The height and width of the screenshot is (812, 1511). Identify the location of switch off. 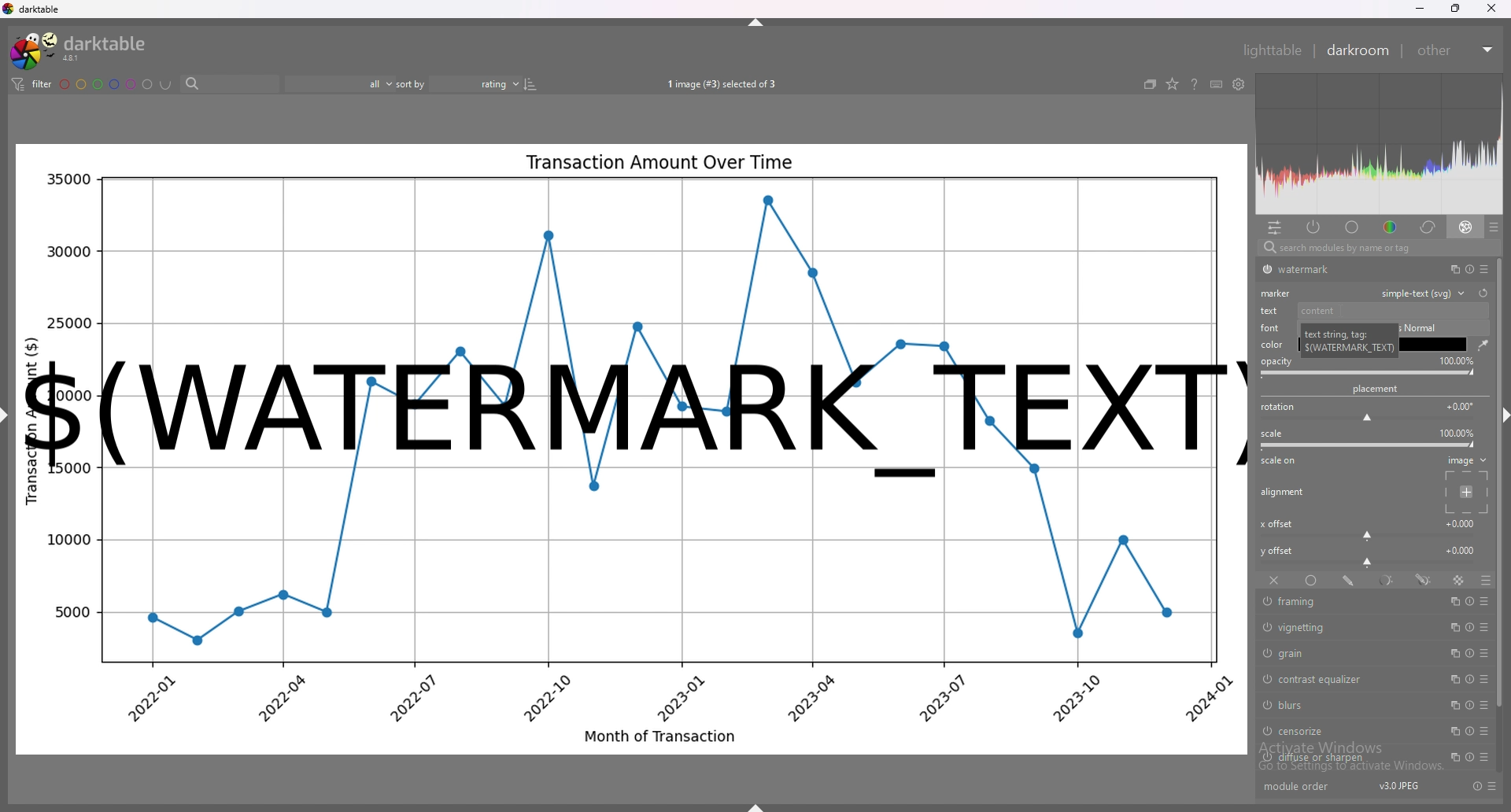
(1267, 627).